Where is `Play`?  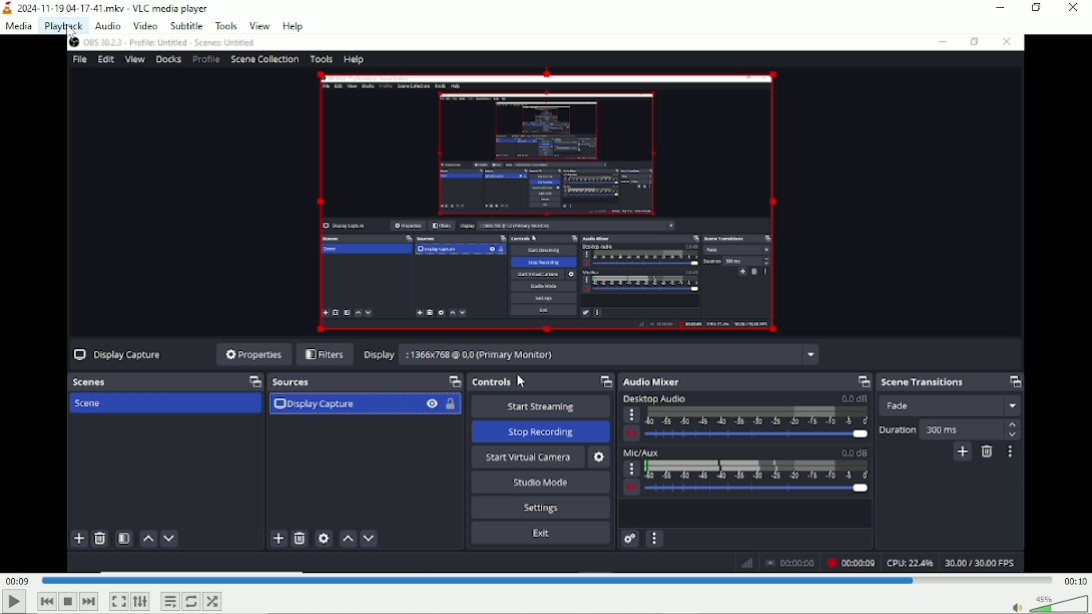
Play is located at coordinates (14, 602).